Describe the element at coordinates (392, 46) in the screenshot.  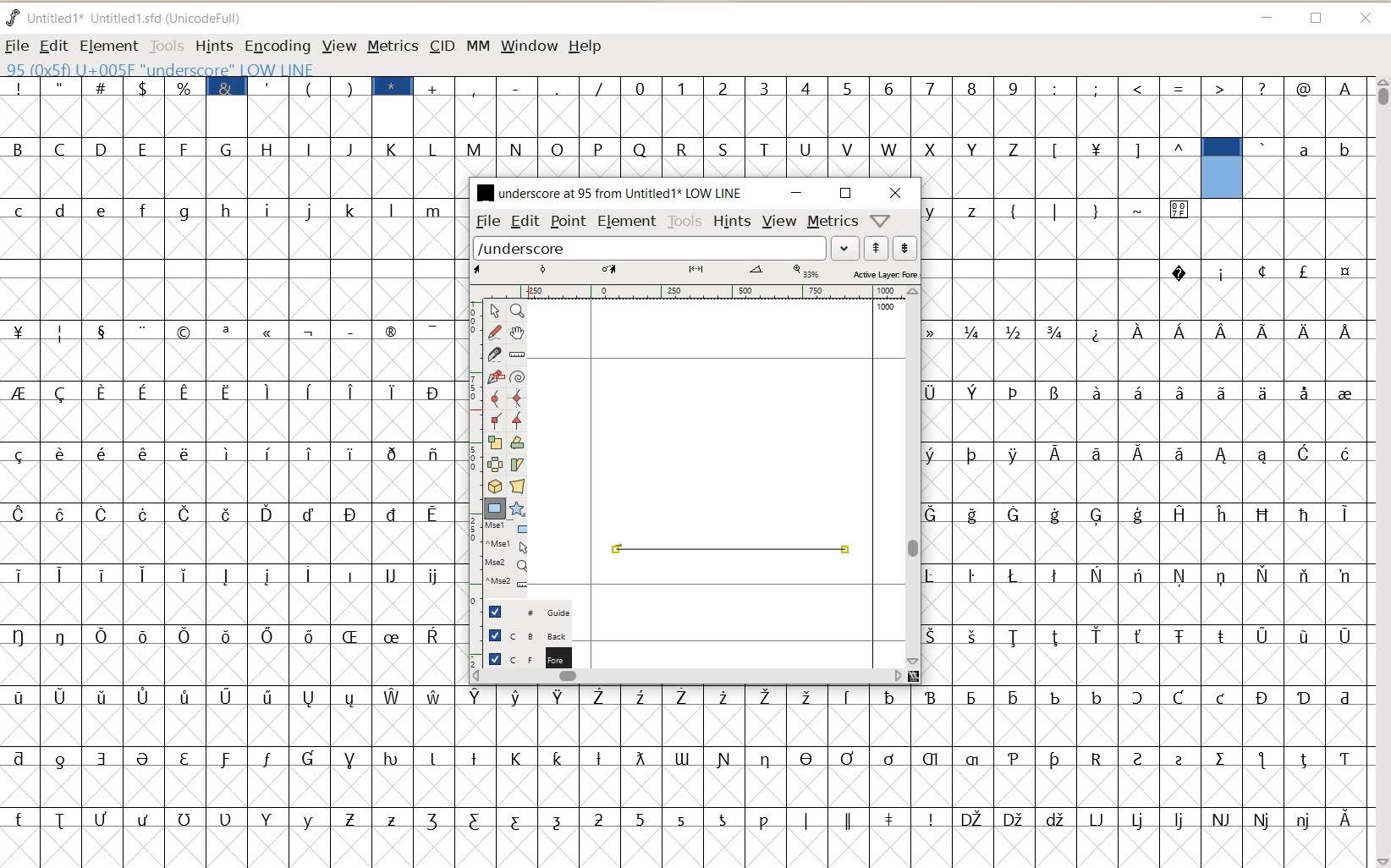
I see `METRICS` at that location.